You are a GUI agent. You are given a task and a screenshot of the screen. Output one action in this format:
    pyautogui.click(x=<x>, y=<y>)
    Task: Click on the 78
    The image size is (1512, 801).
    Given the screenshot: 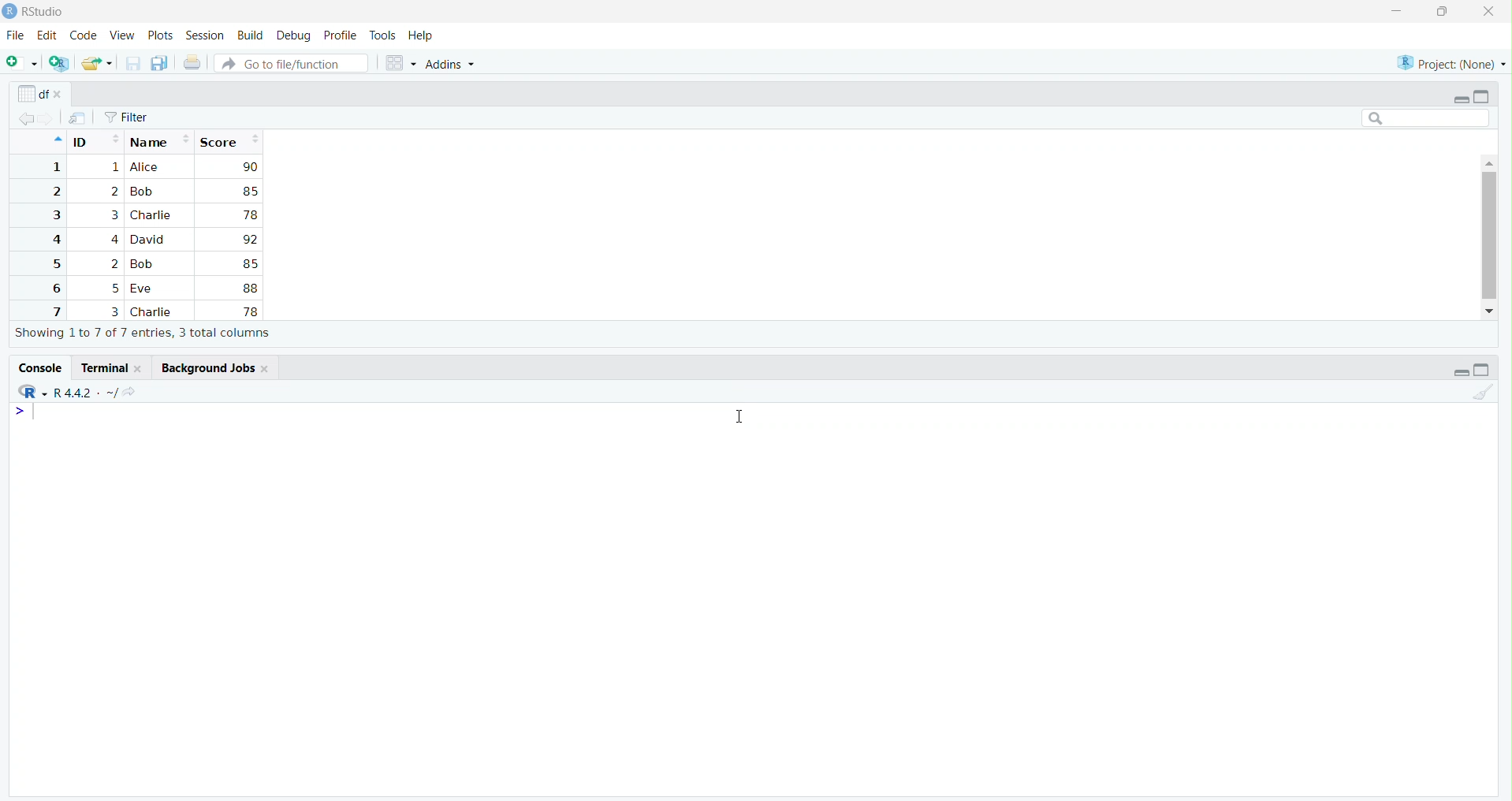 What is the action you would take?
    pyautogui.click(x=250, y=215)
    